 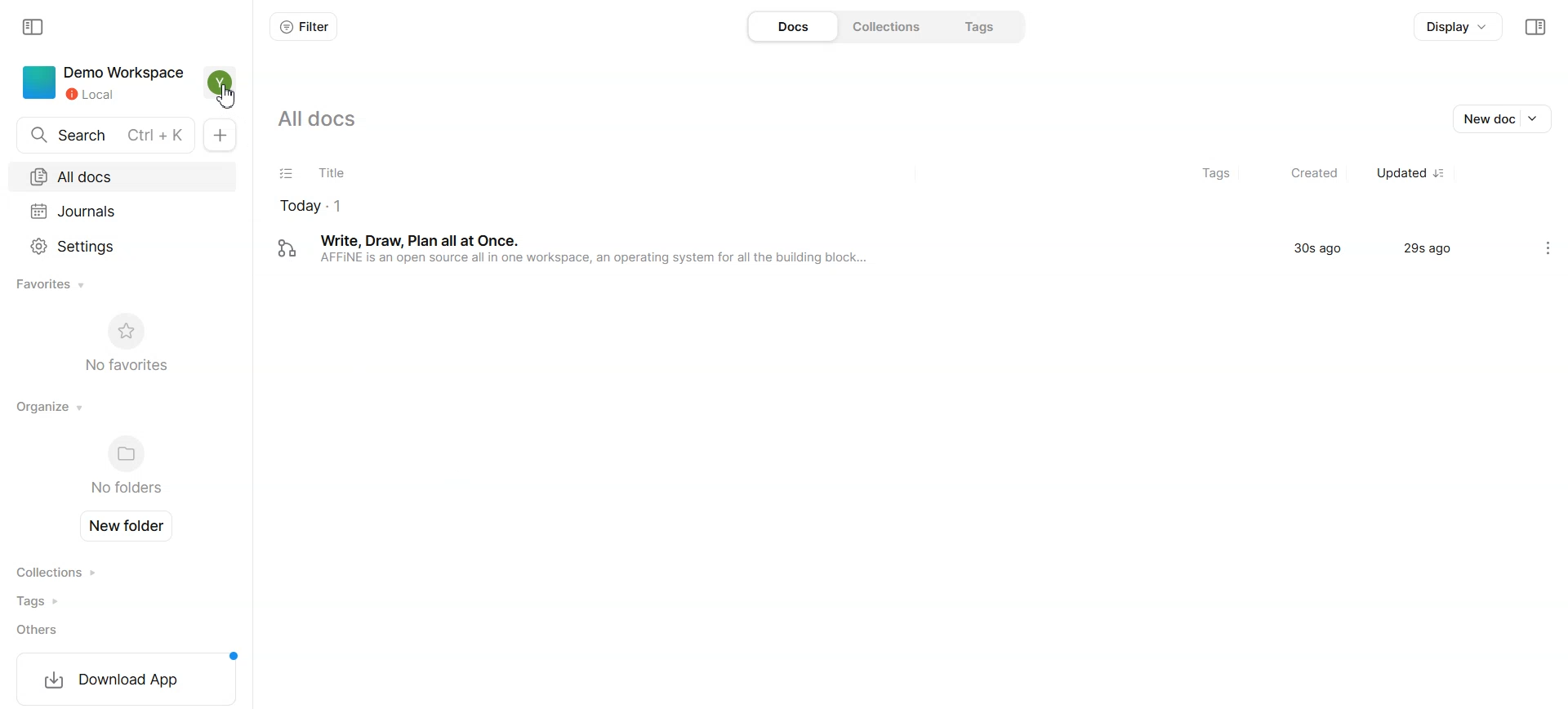 What do you see at coordinates (305, 27) in the screenshot?
I see `Filter` at bounding box center [305, 27].